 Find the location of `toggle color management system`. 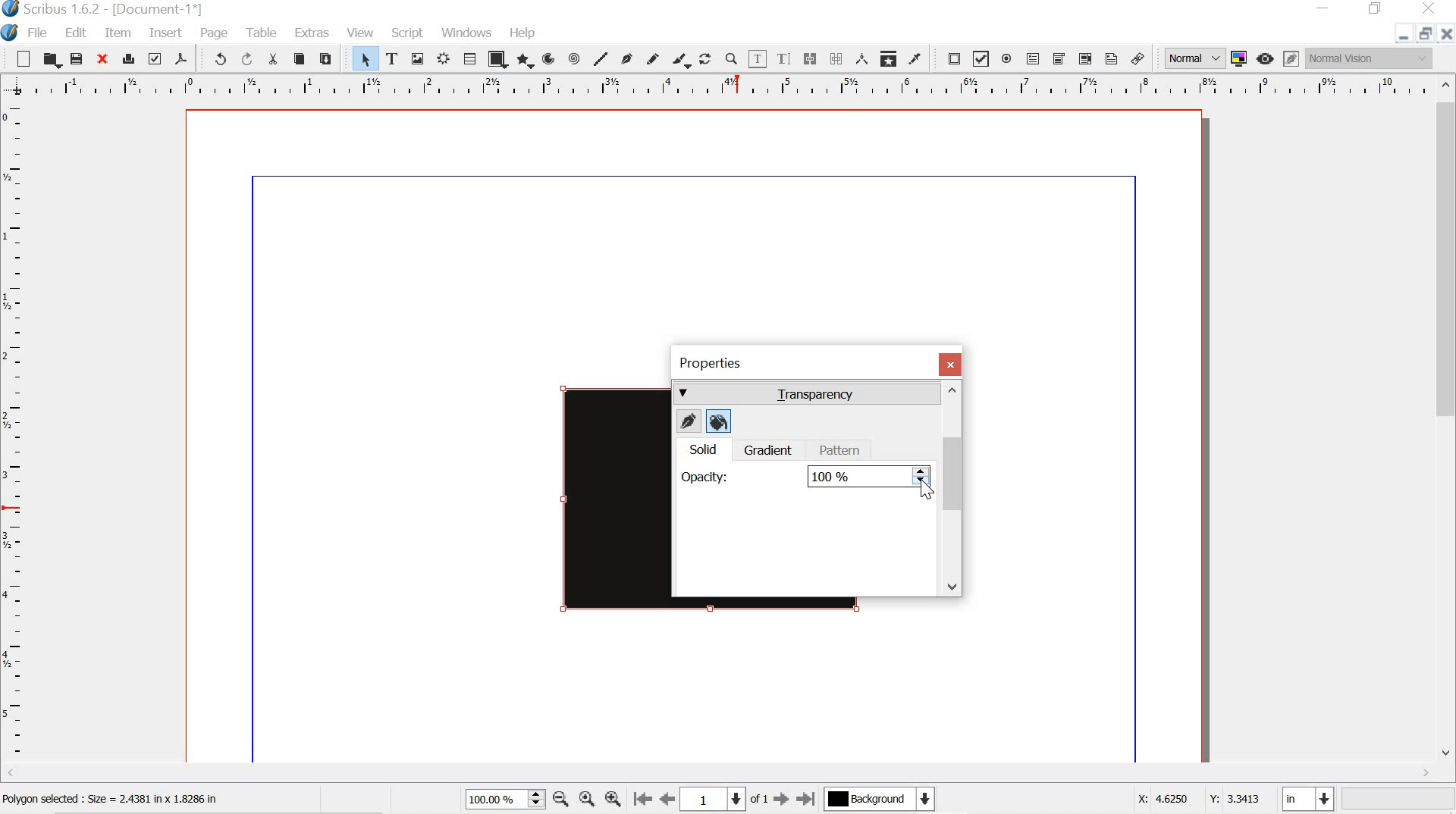

toggle color management system is located at coordinates (1241, 58).